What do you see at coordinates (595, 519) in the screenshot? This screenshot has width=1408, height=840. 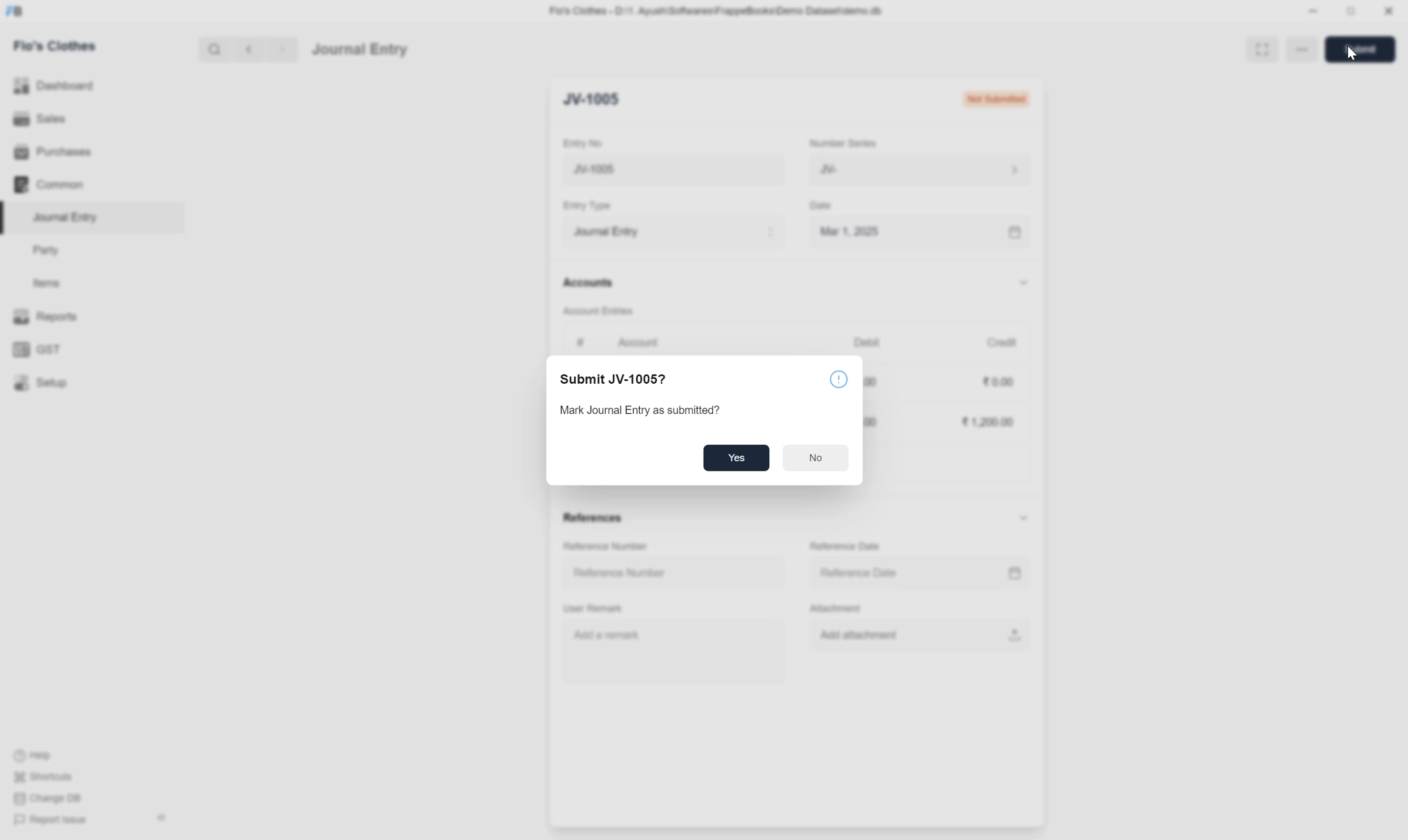 I see `References` at bounding box center [595, 519].